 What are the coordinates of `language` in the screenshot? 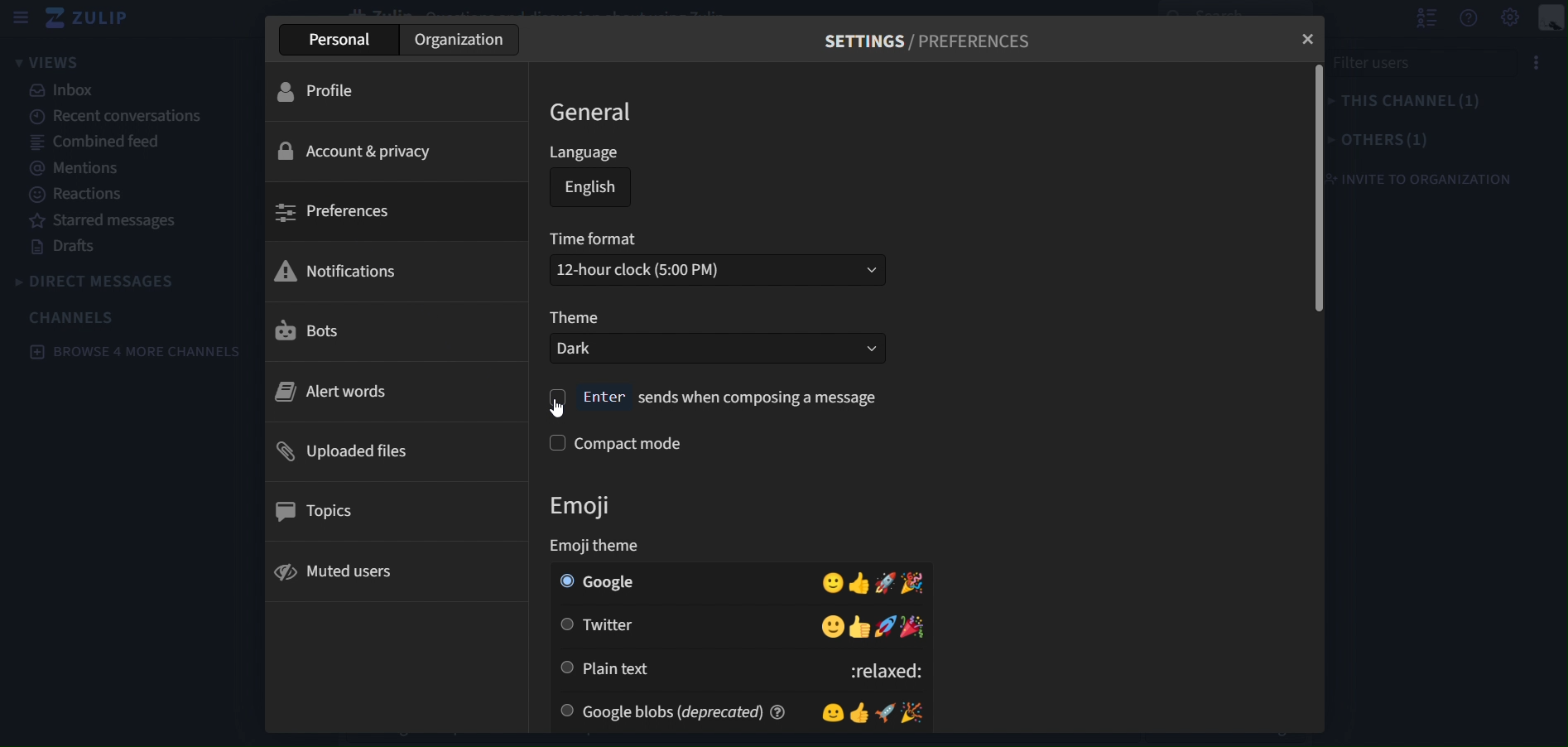 It's located at (587, 153).